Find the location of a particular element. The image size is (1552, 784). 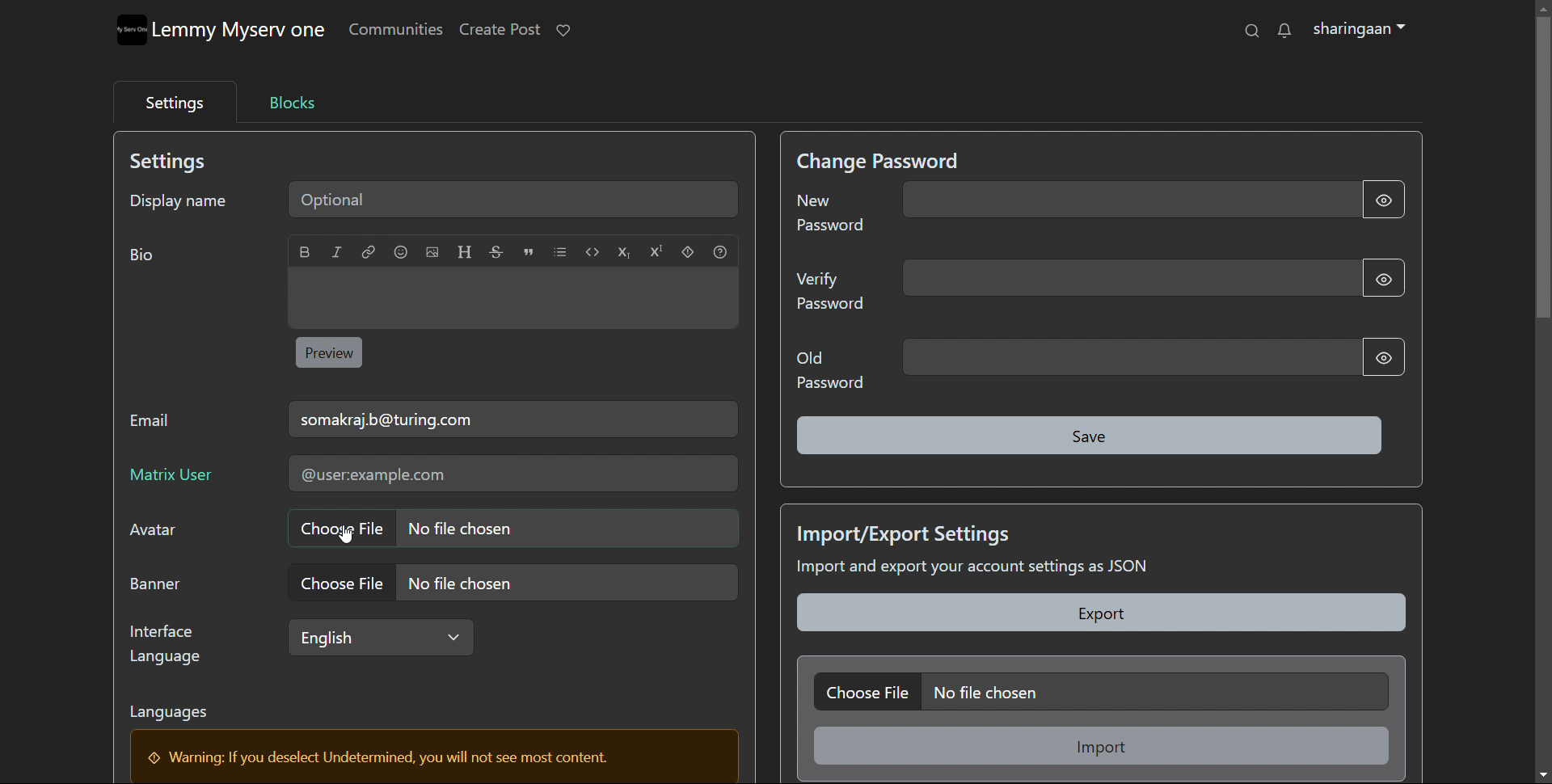

Change Password is located at coordinates (883, 160).